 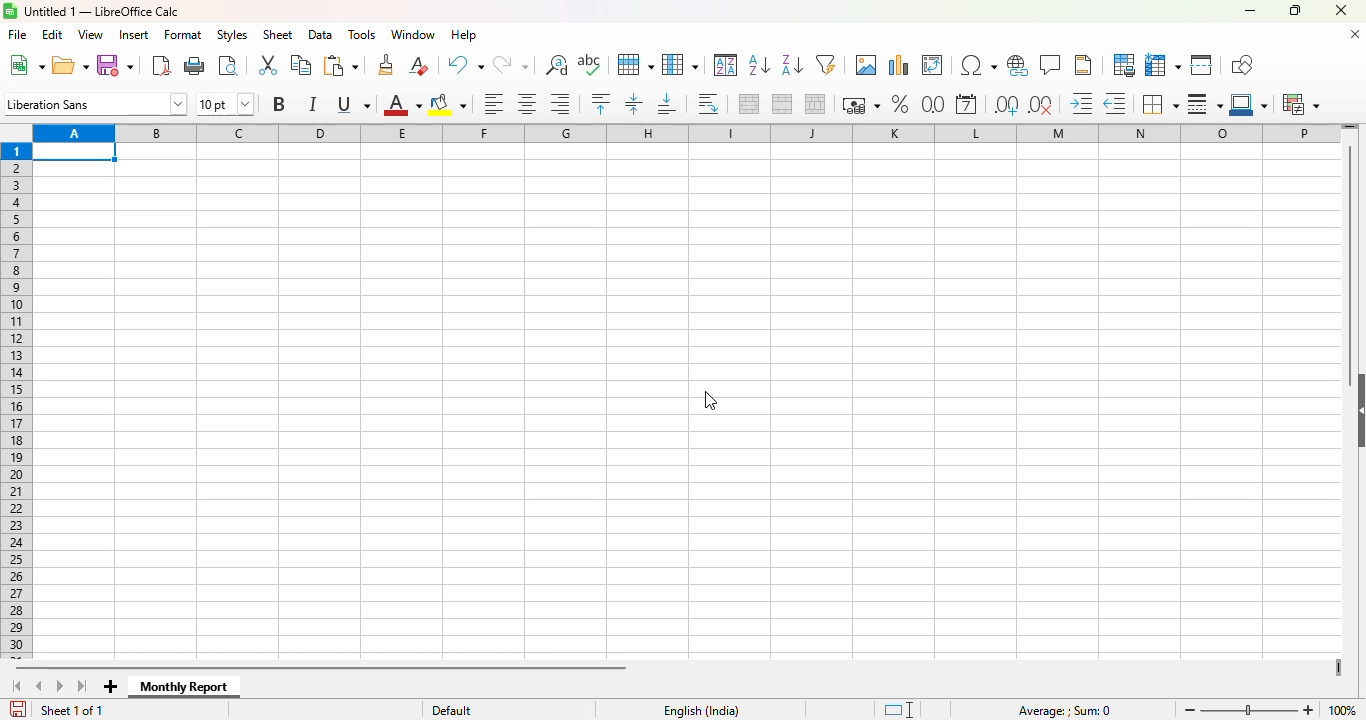 I want to click on Untitled 1 - LibreOffice Calc, so click(x=102, y=12).